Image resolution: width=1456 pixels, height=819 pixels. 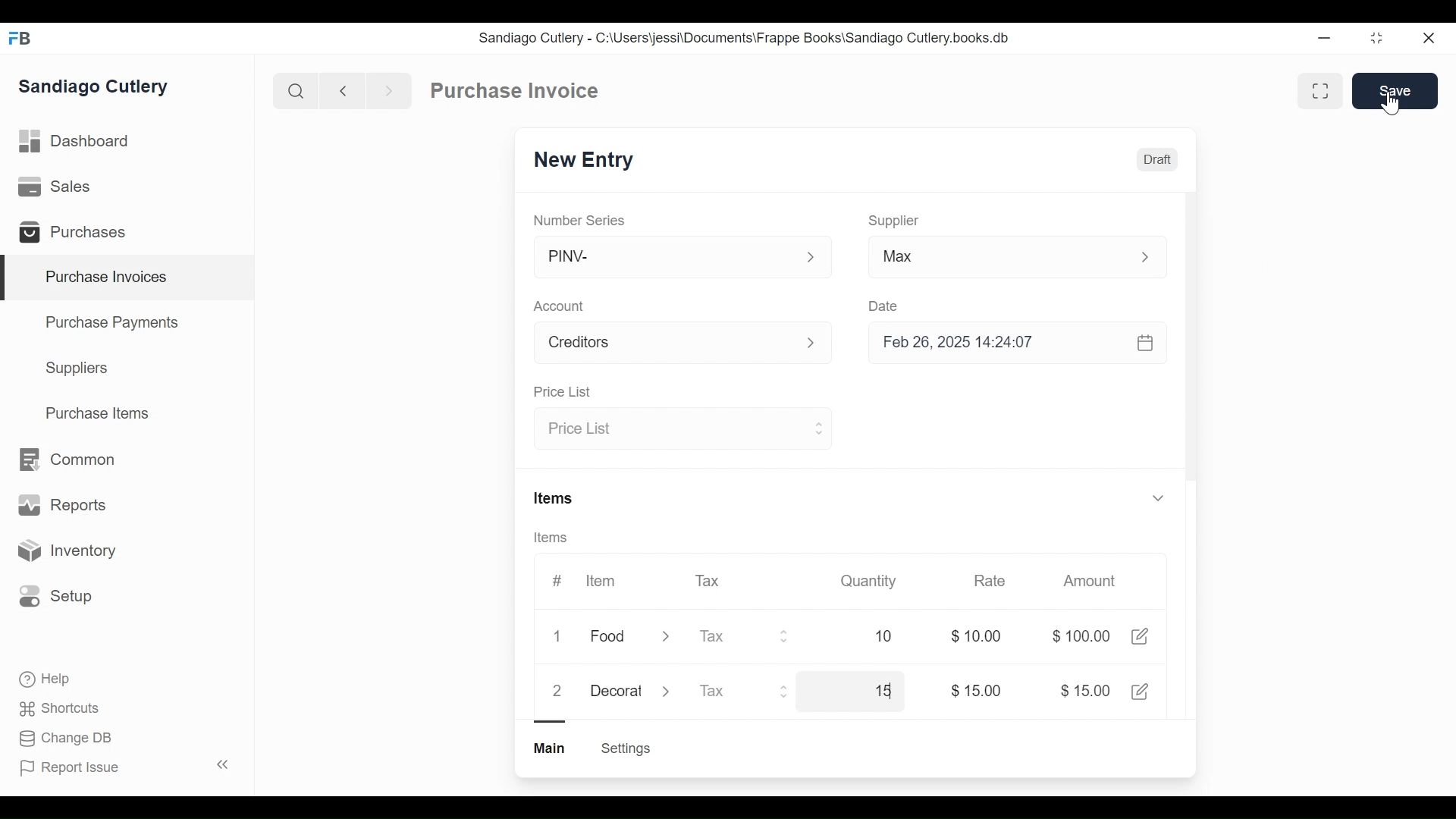 What do you see at coordinates (625, 748) in the screenshot?
I see `Settings` at bounding box center [625, 748].